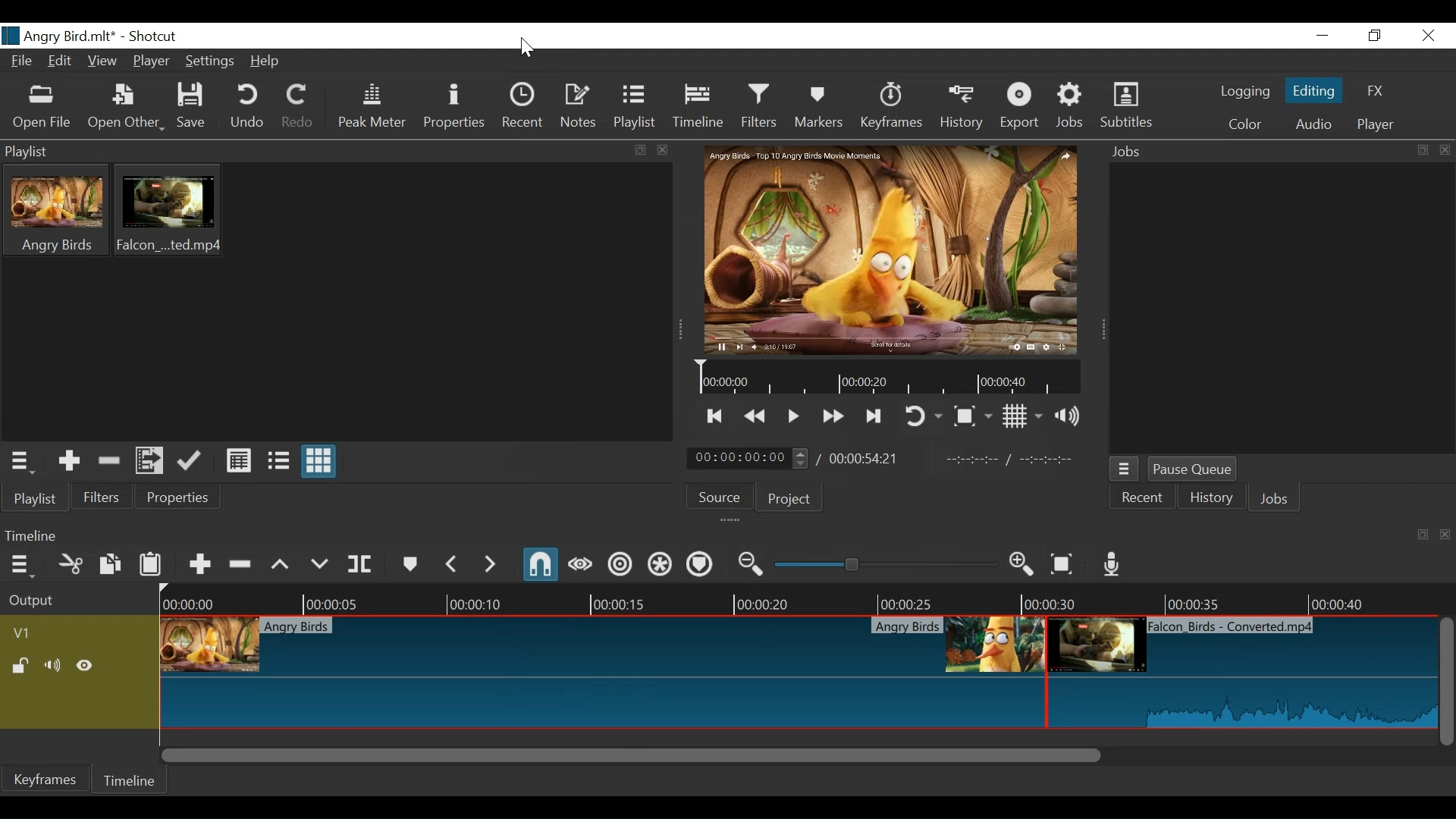 The height and width of the screenshot is (819, 1456). What do you see at coordinates (1323, 36) in the screenshot?
I see `minimize` at bounding box center [1323, 36].